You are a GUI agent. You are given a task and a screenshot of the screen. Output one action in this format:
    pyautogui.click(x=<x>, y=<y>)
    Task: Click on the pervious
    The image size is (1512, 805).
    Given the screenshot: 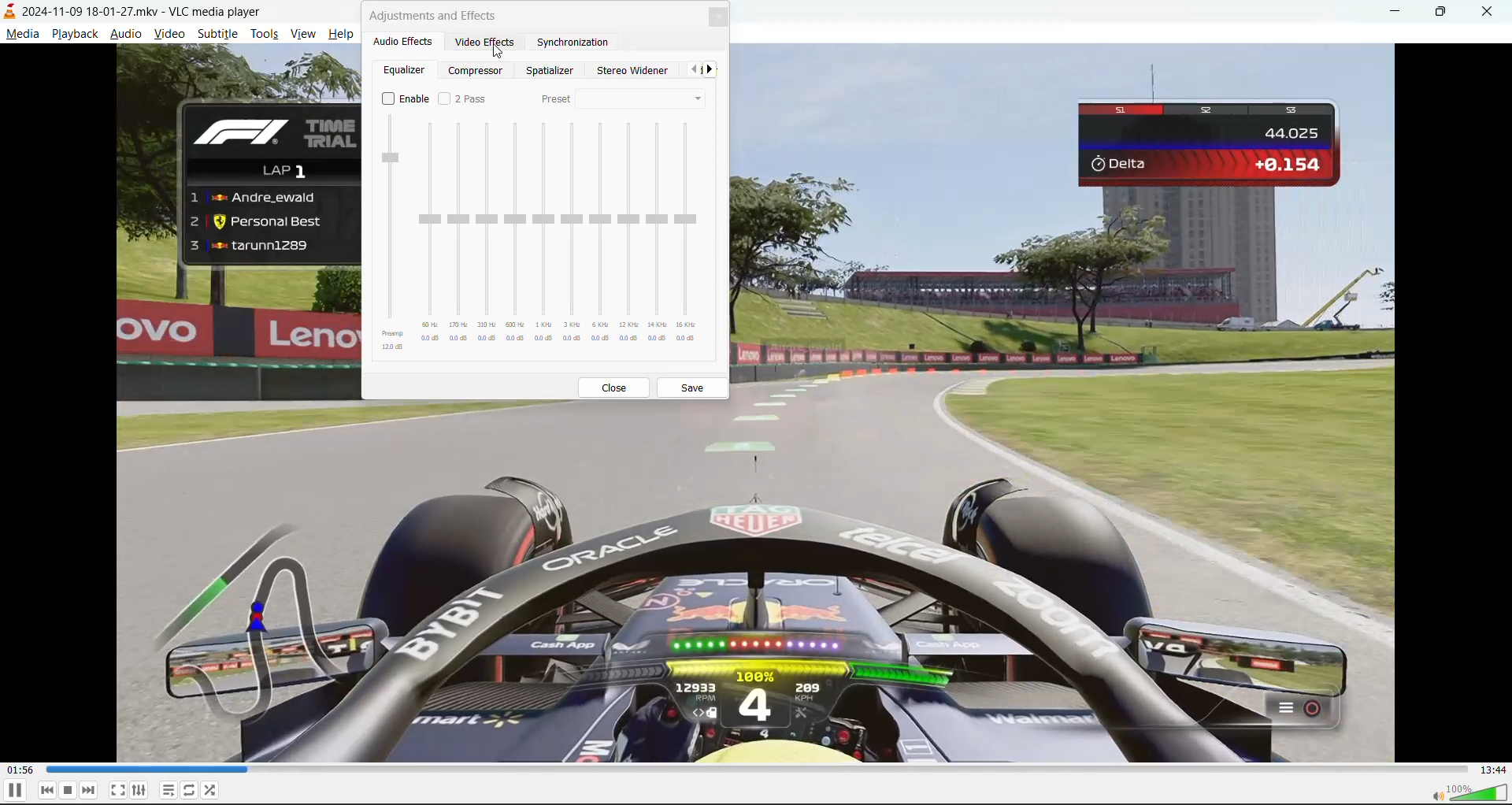 What is the action you would take?
    pyautogui.click(x=698, y=72)
    